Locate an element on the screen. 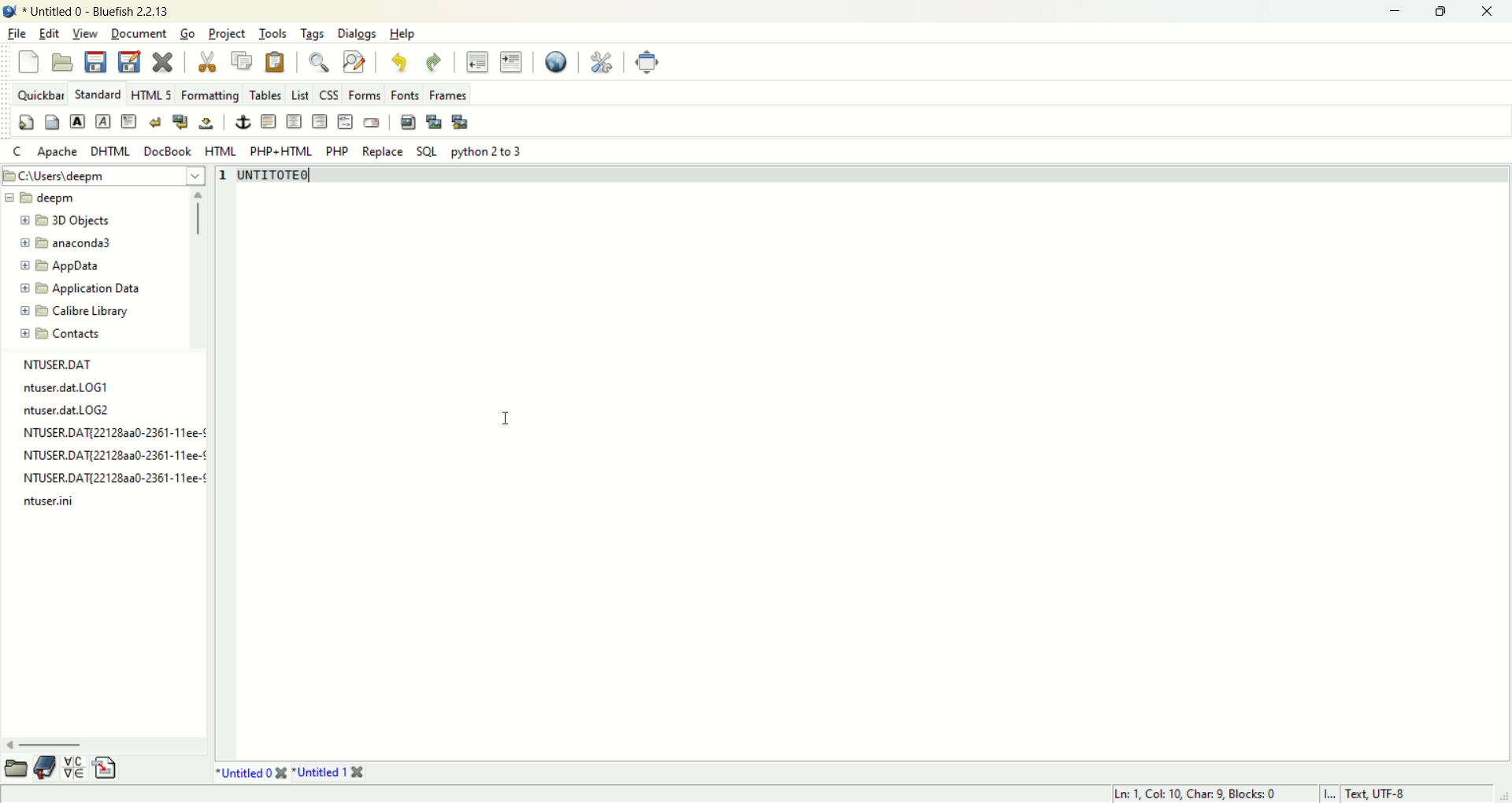 The height and width of the screenshot is (803, 1512). view is located at coordinates (86, 33).